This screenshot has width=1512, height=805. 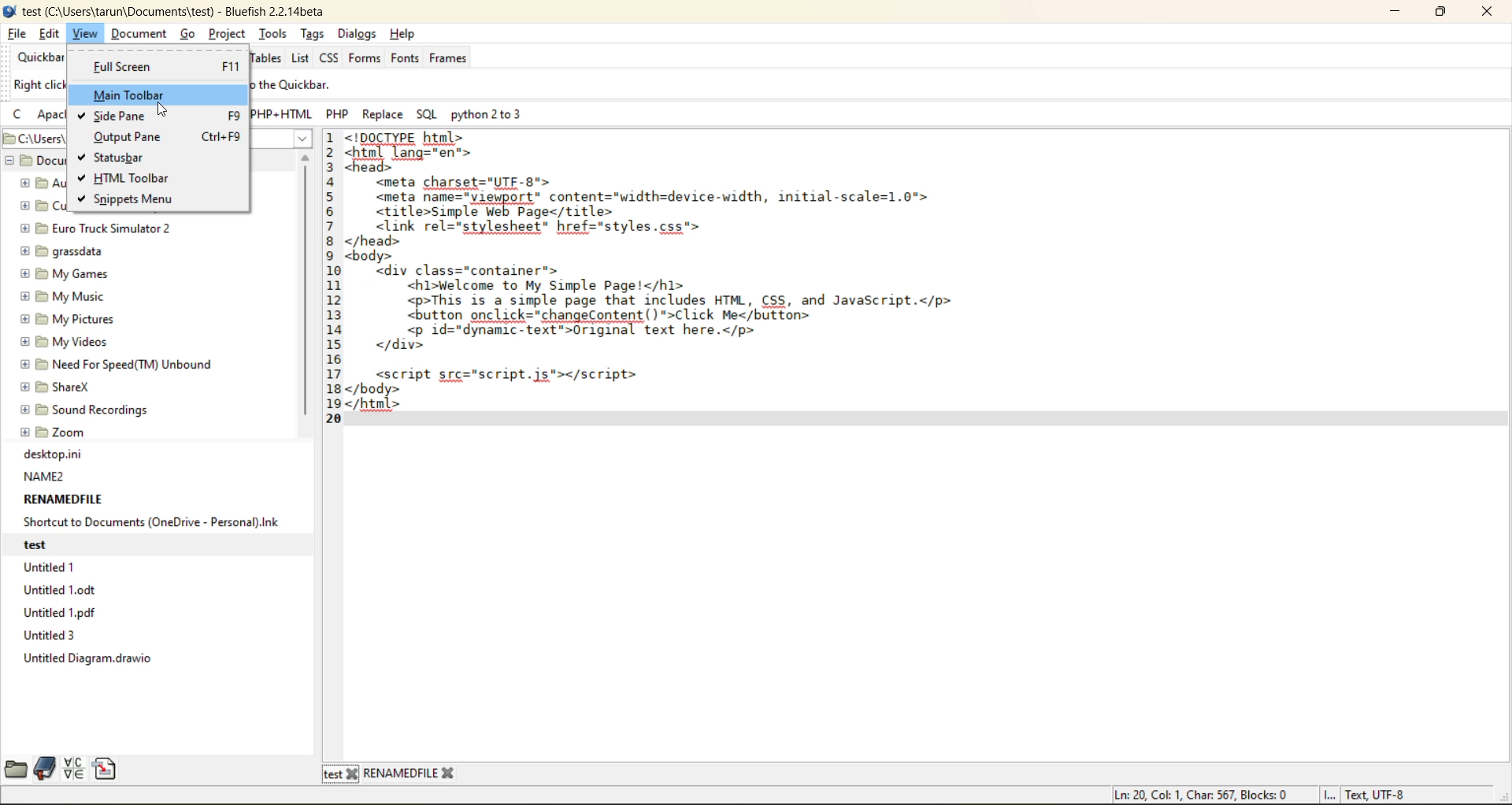 I want to click on quickbar, so click(x=37, y=58).